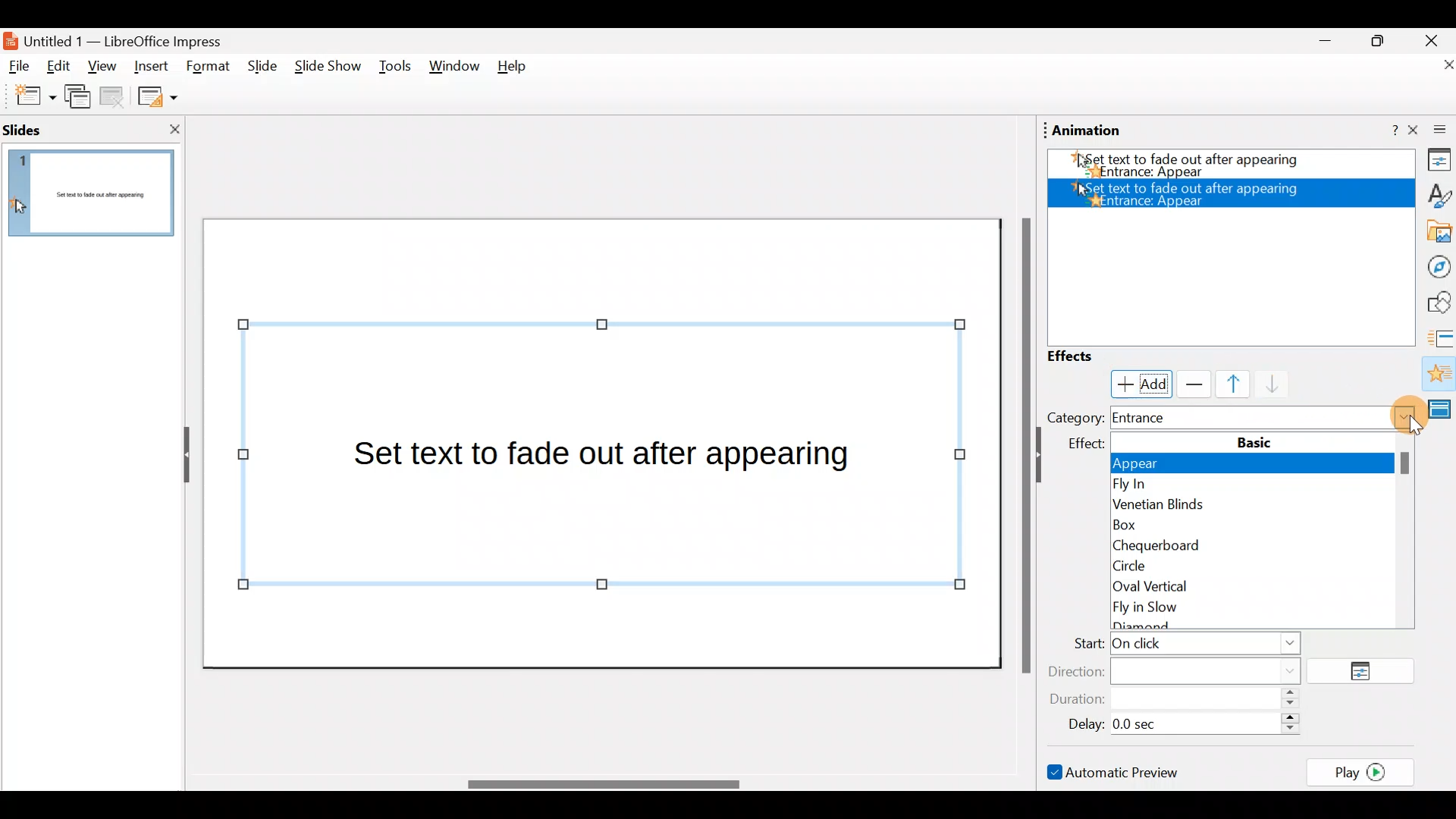 The height and width of the screenshot is (819, 1456). What do you see at coordinates (1116, 771) in the screenshot?
I see `Automatic preview` at bounding box center [1116, 771].